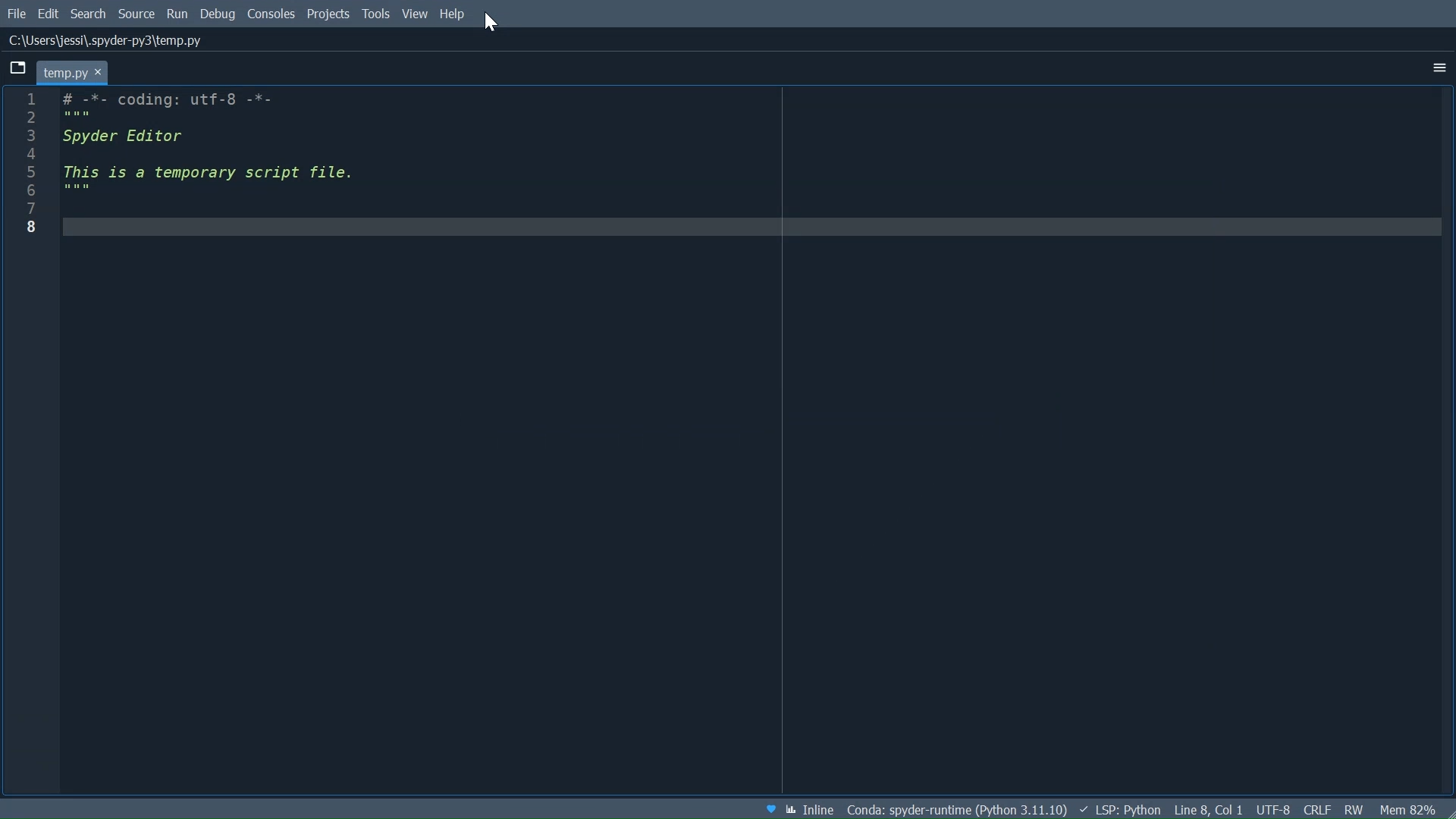  What do you see at coordinates (375, 14) in the screenshot?
I see `Tools` at bounding box center [375, 14].